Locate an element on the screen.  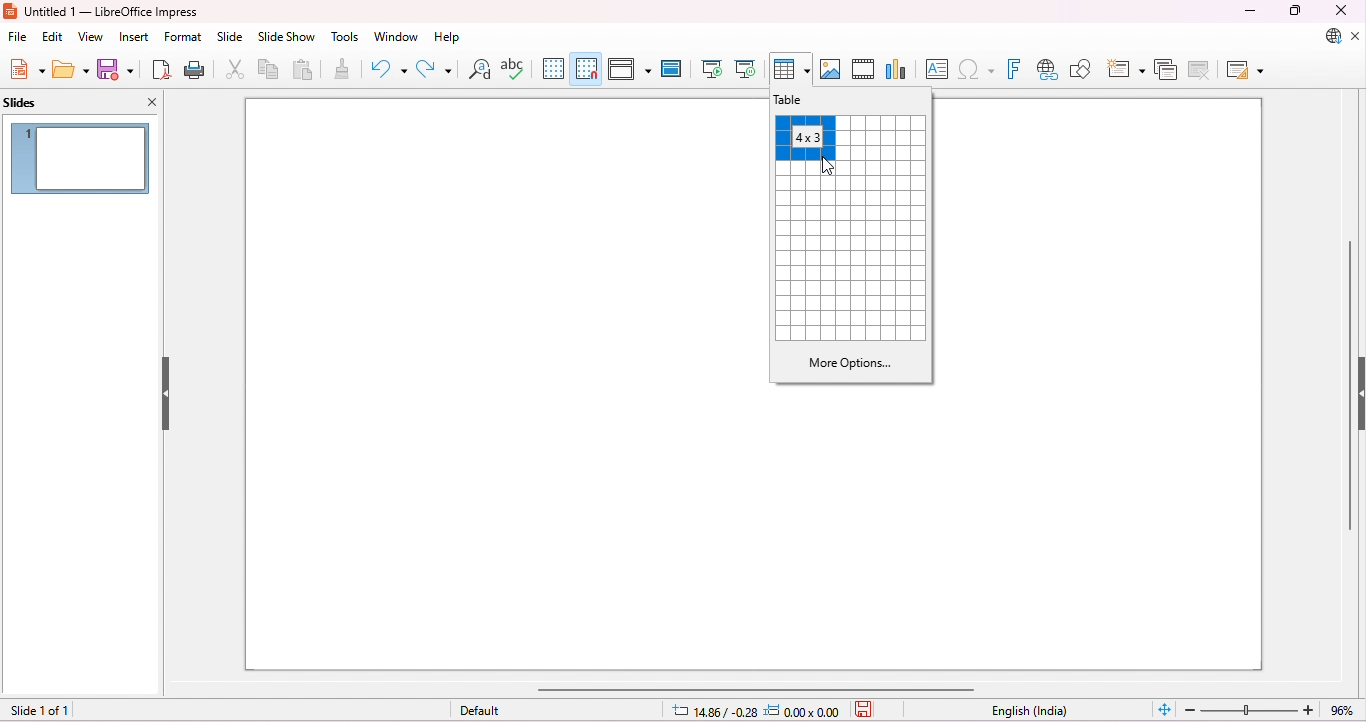
tools is located at coordinates (345, 38).